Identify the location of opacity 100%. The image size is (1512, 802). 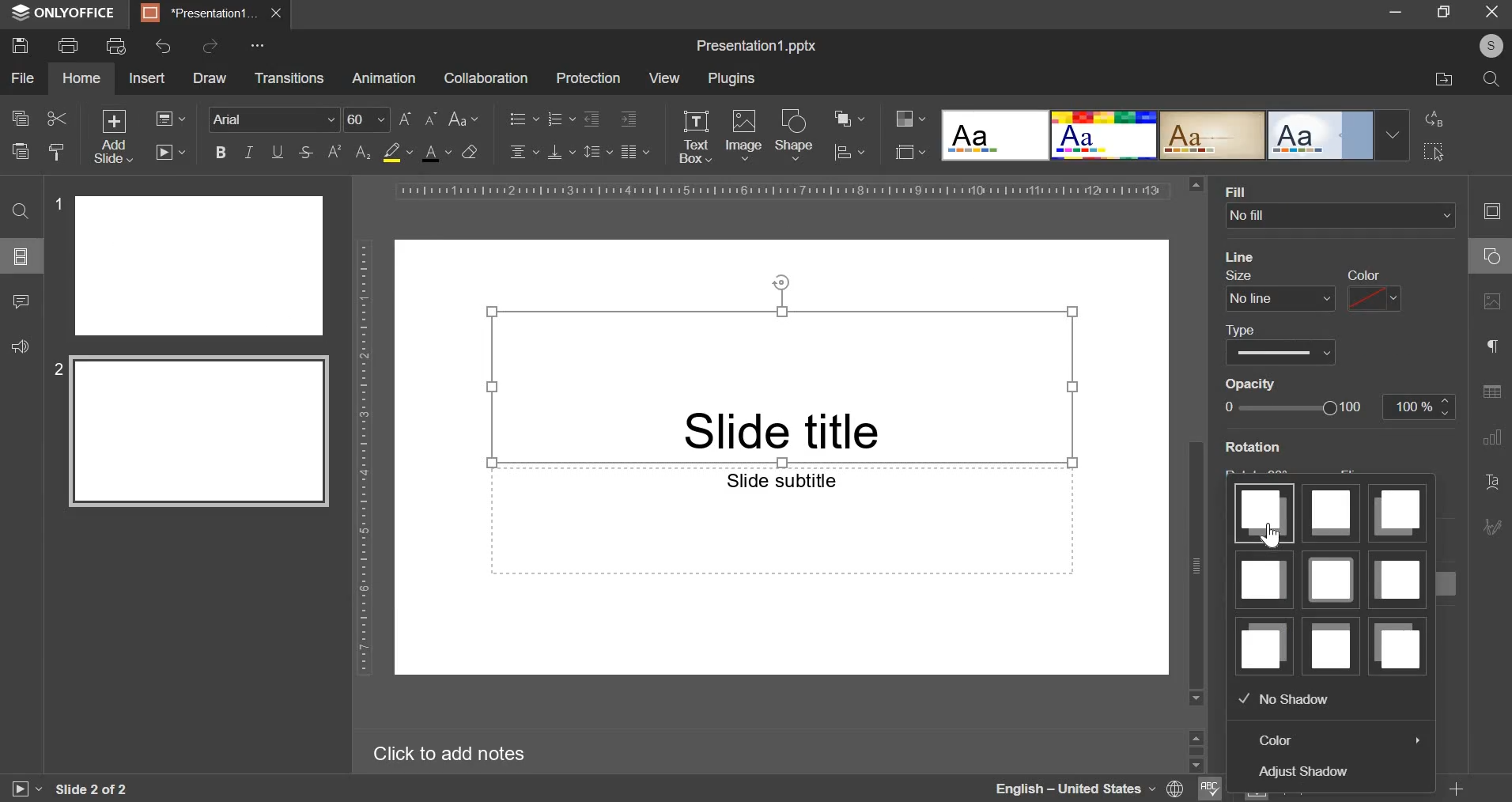
(1421, 406).